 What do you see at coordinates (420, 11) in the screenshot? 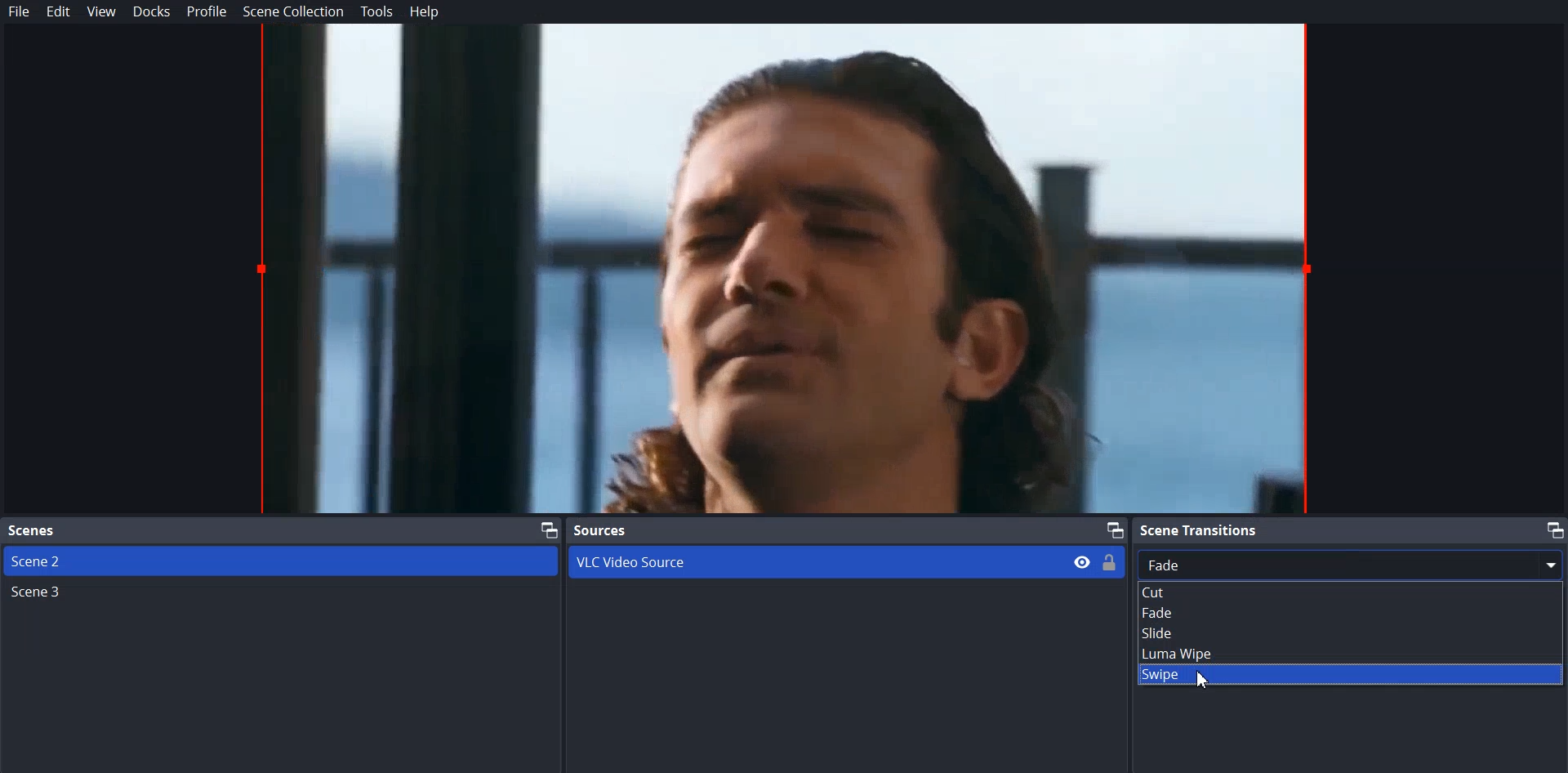
I see `Help` at bounding box center [420, 11].